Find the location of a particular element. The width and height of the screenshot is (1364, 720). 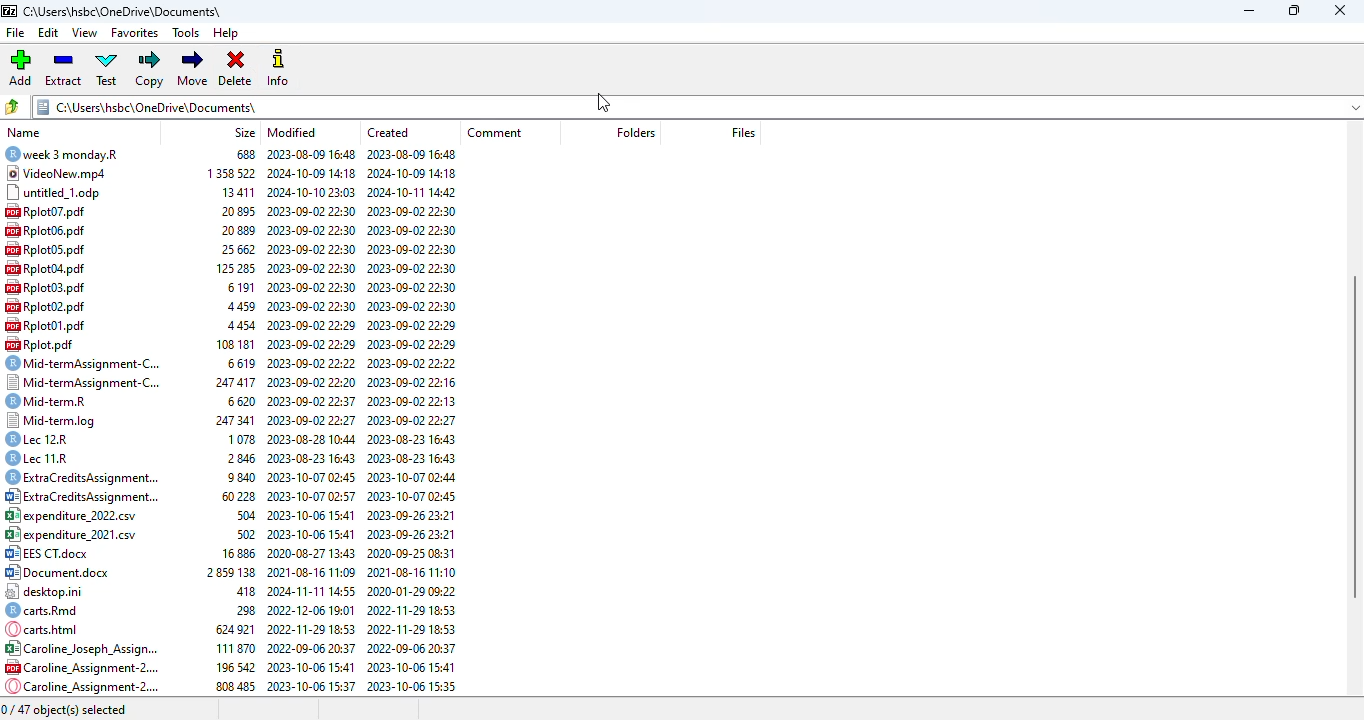

 Caroline_Assignment 2.. is located at coordinates (80, 688).